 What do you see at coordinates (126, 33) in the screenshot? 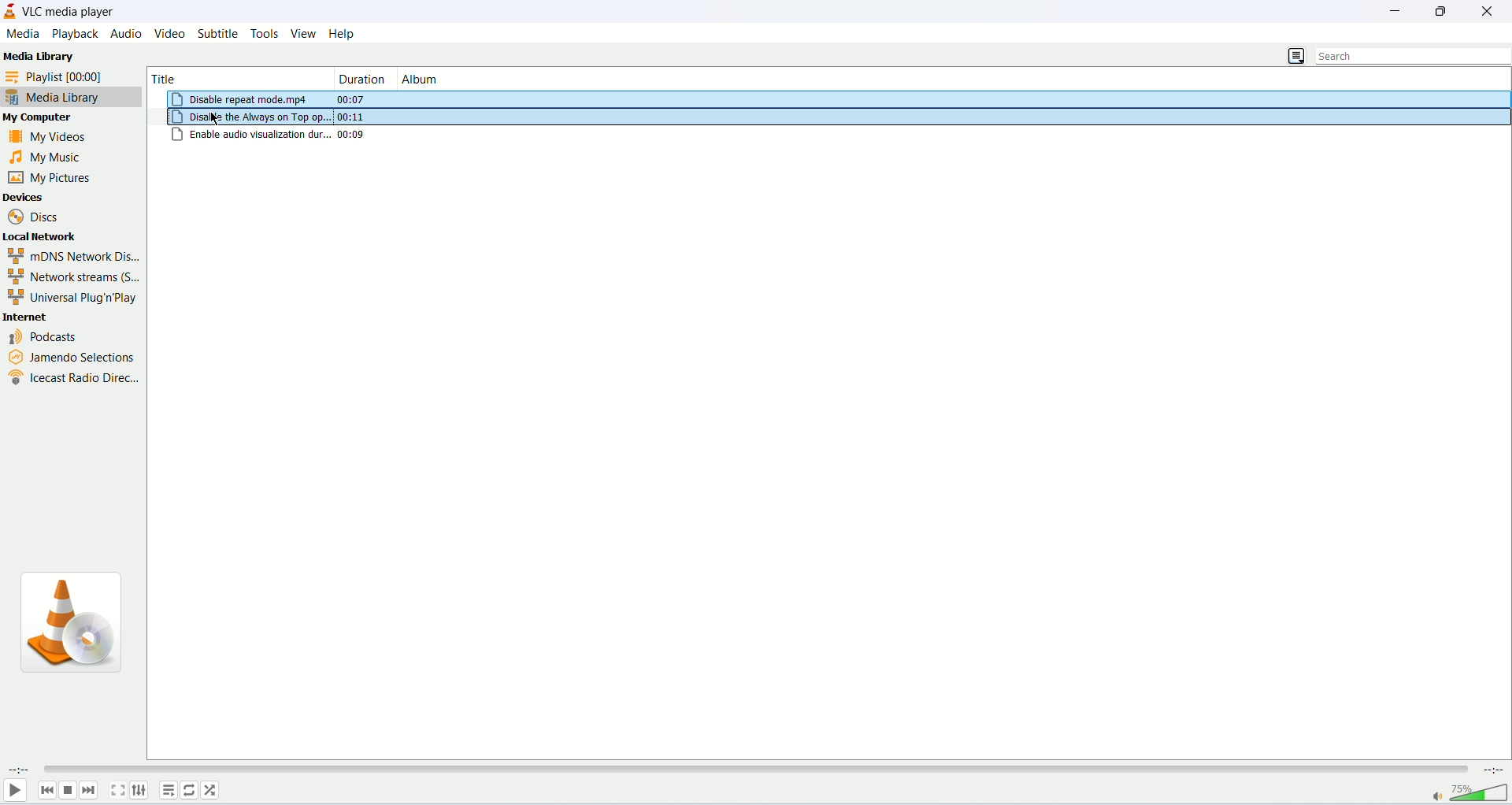
I see `audio` at bounding box center [126, 33].